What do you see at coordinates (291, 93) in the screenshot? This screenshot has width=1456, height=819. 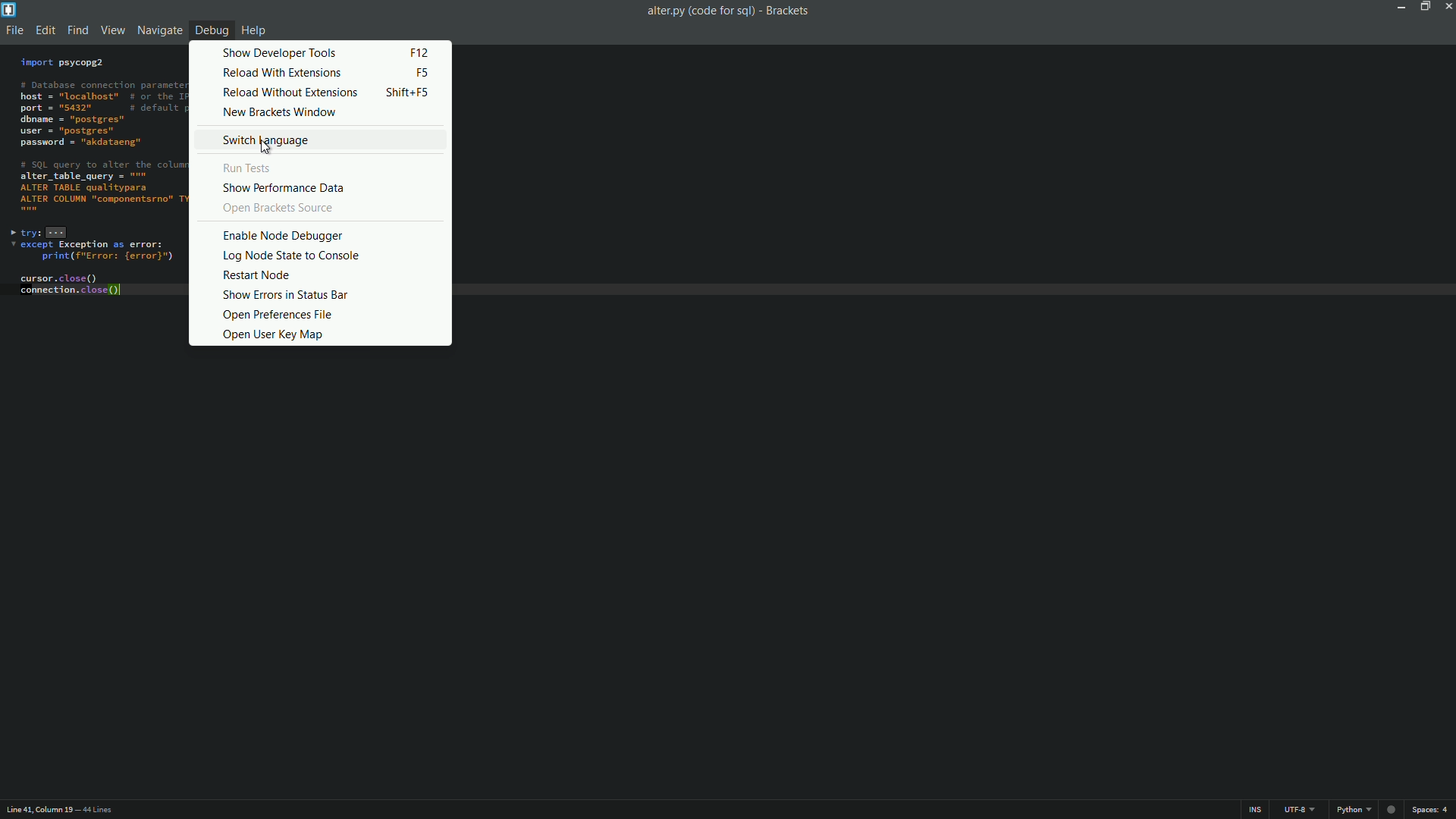 I see `Reload without extensions` at bounding box center [291, 93].